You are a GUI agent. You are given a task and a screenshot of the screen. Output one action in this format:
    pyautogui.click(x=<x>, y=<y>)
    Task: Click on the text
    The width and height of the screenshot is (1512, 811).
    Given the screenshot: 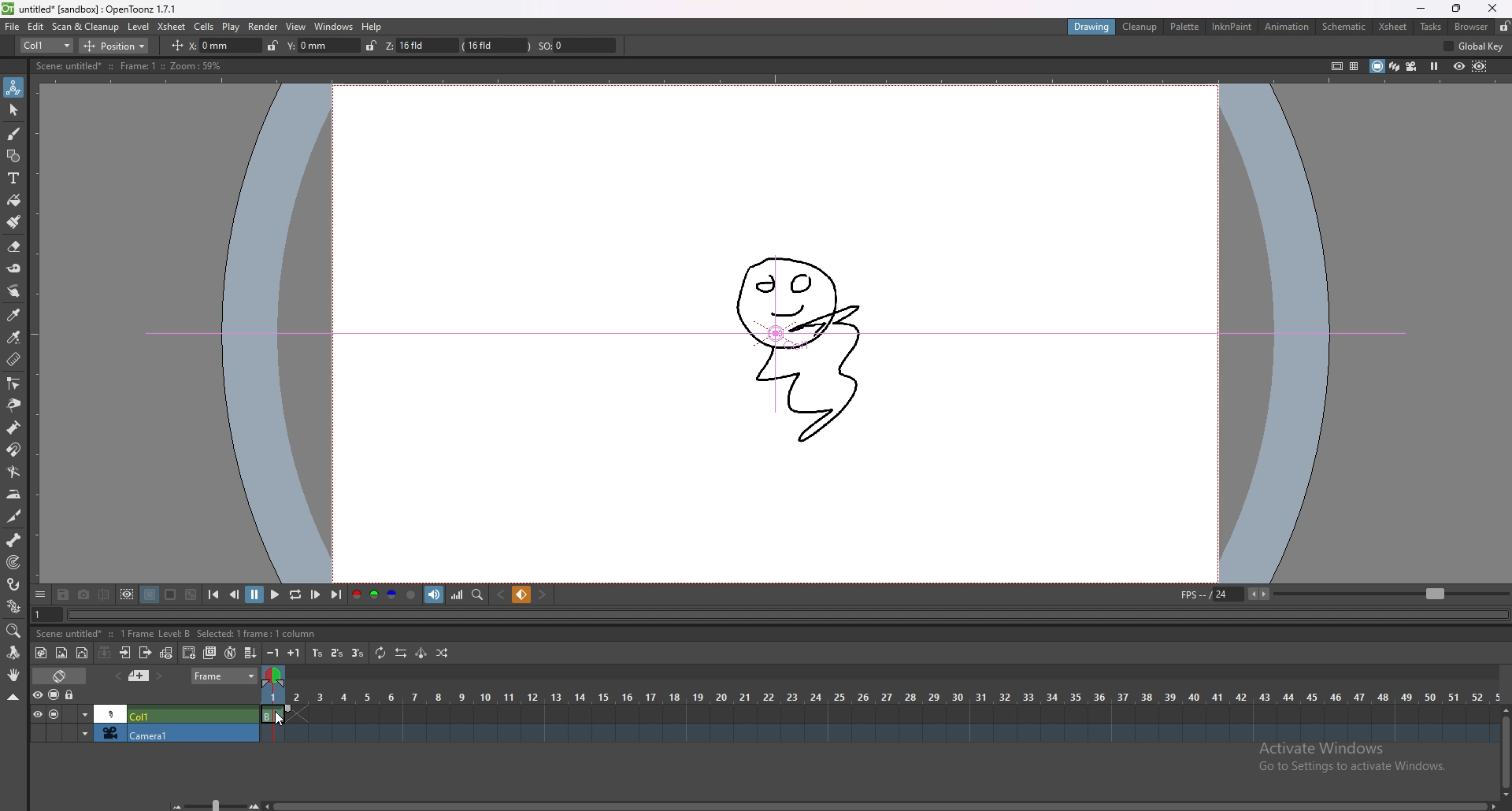 What is the action you would take?
    pyautogui.click(x=14, y=178)
    